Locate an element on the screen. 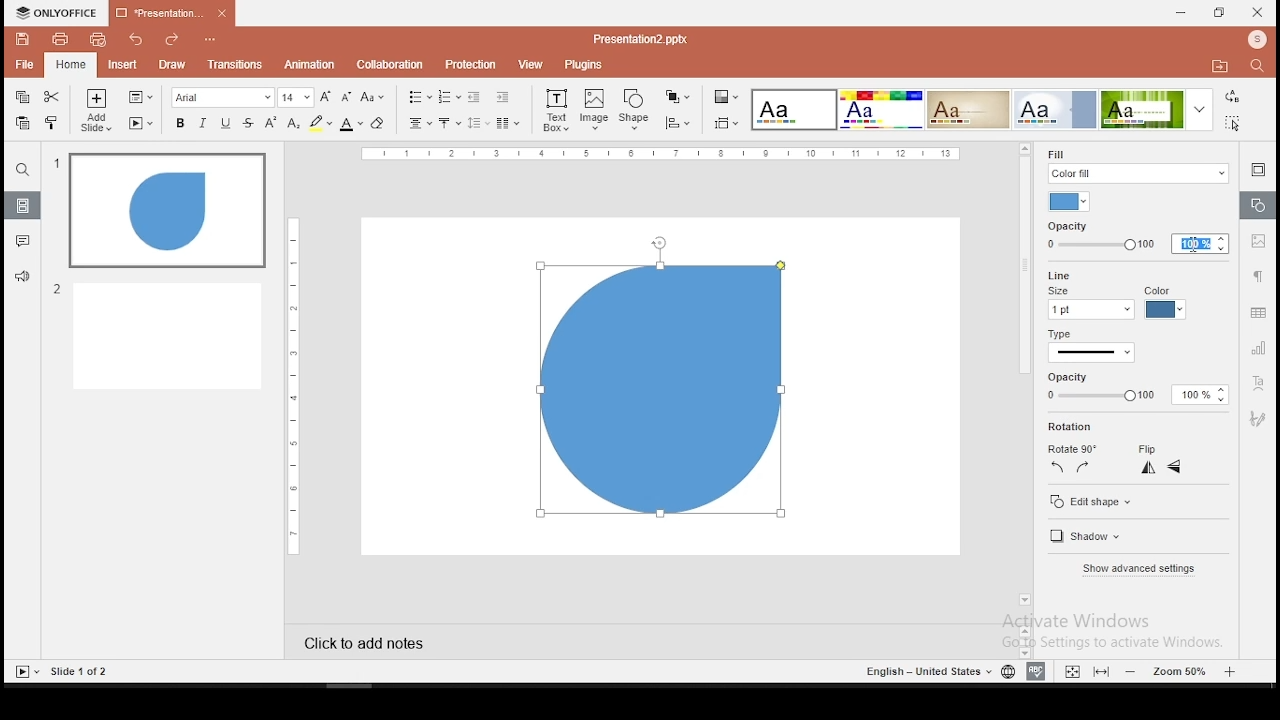  shape is located at coordinates (636, 109).